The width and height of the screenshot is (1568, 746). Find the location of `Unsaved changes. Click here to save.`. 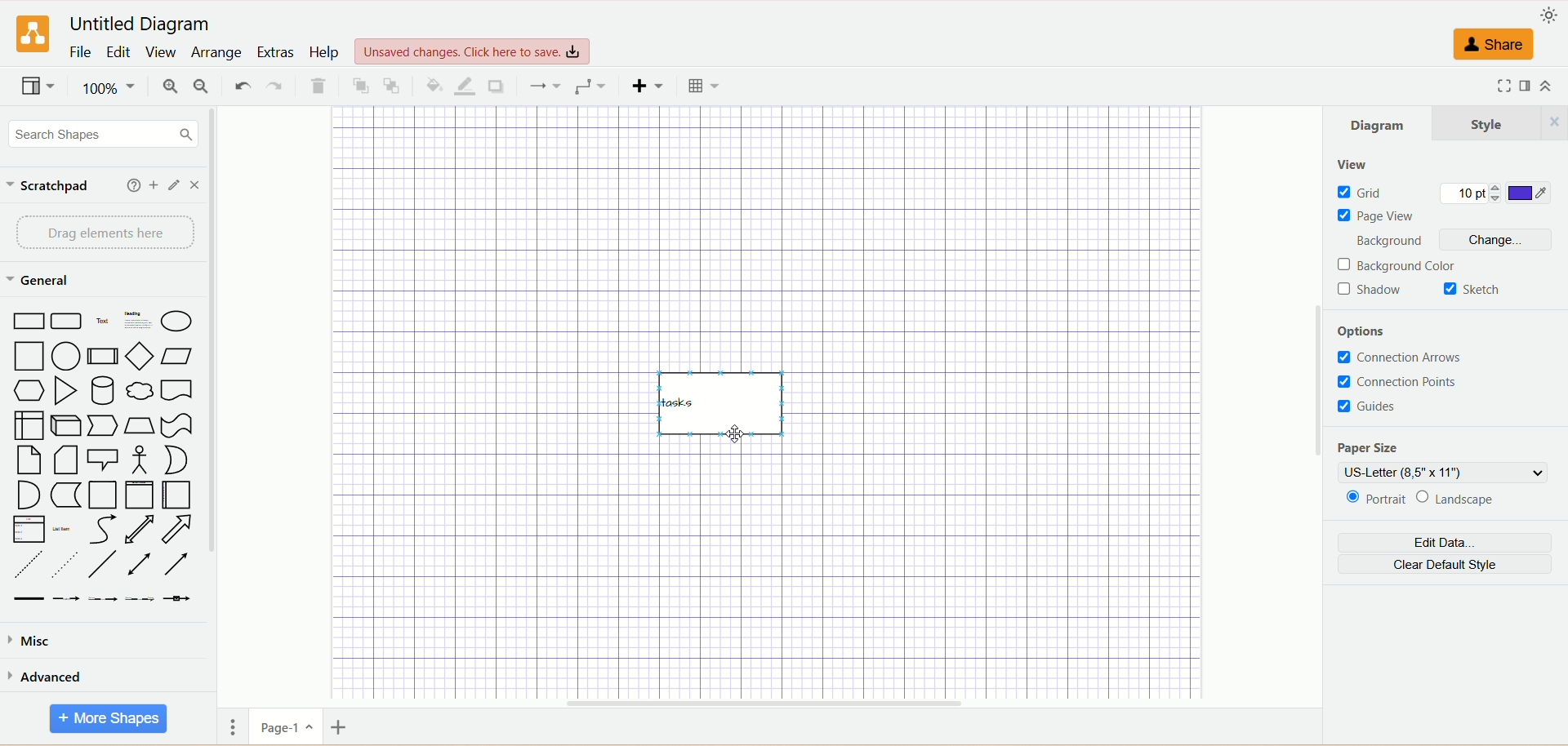

Unsaved changes. Click here to save. is located at coordinates (474, 52).